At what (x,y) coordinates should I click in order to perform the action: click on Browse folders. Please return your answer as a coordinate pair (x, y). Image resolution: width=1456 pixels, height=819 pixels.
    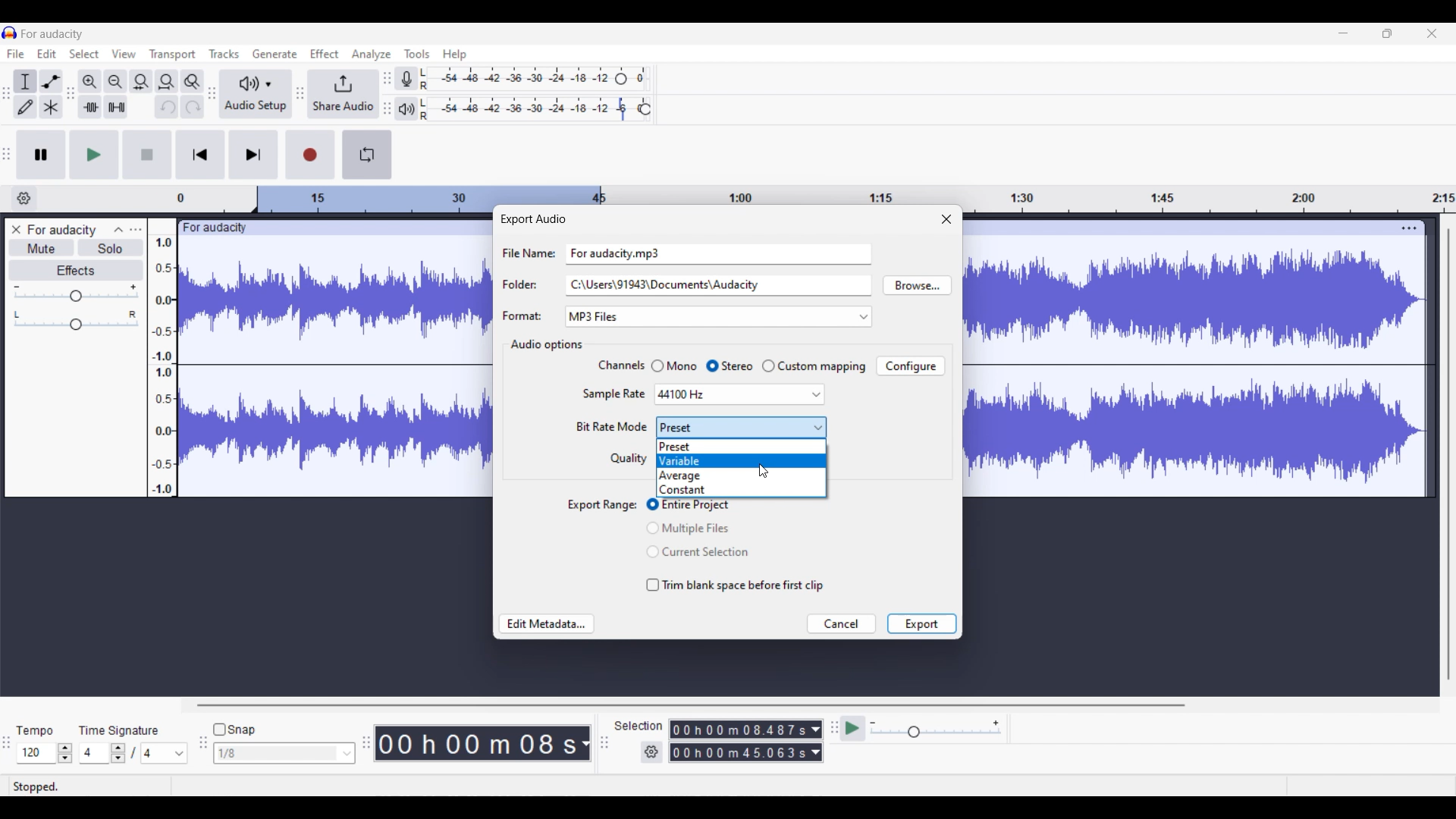
    Looking at the image, I should click on (917, 285).